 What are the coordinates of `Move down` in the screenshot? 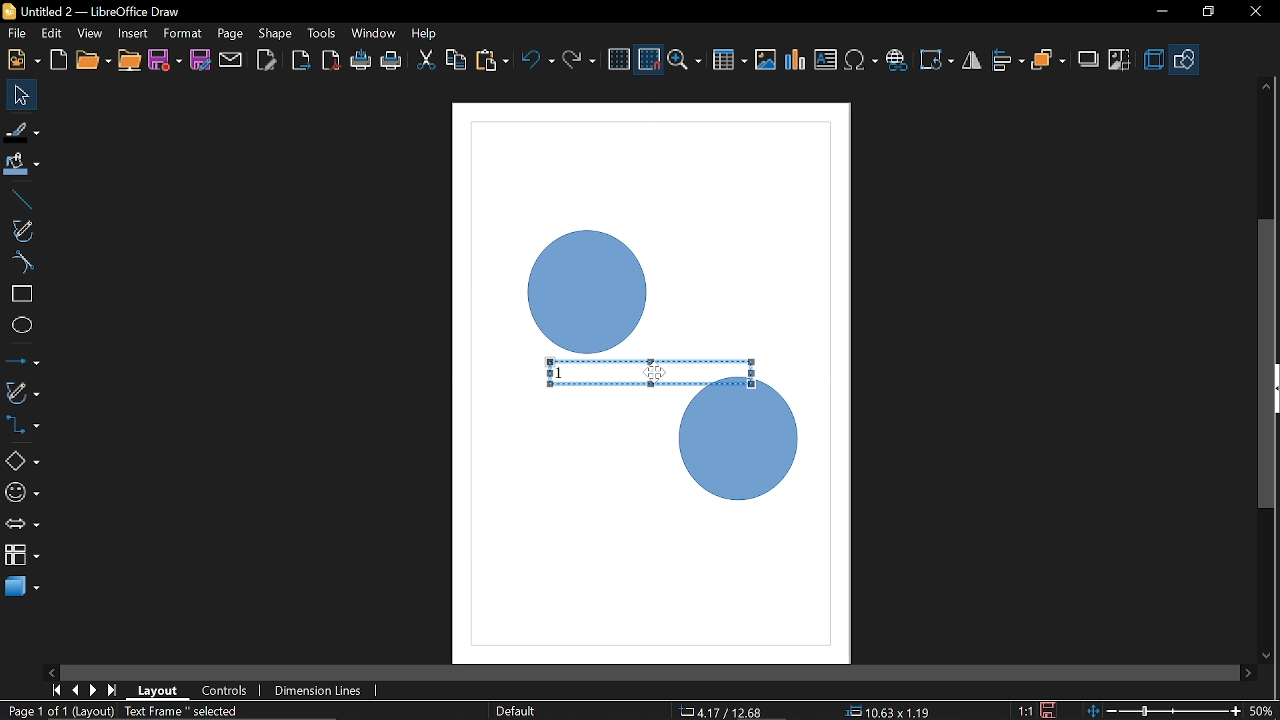 It's located at (1267, 657).